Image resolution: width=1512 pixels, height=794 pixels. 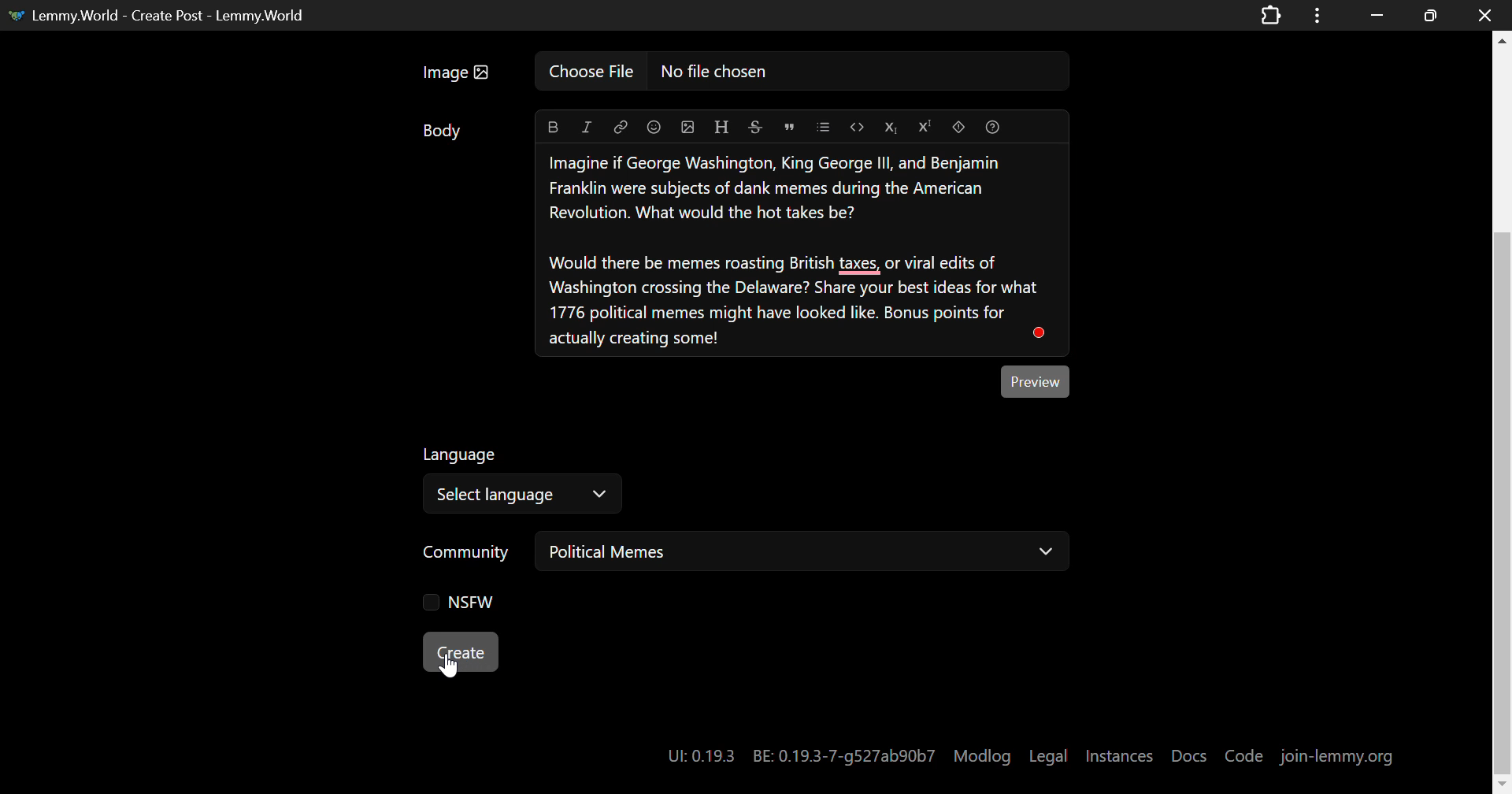 I want to click on Insert Image Field, so click(x=743, y=72).